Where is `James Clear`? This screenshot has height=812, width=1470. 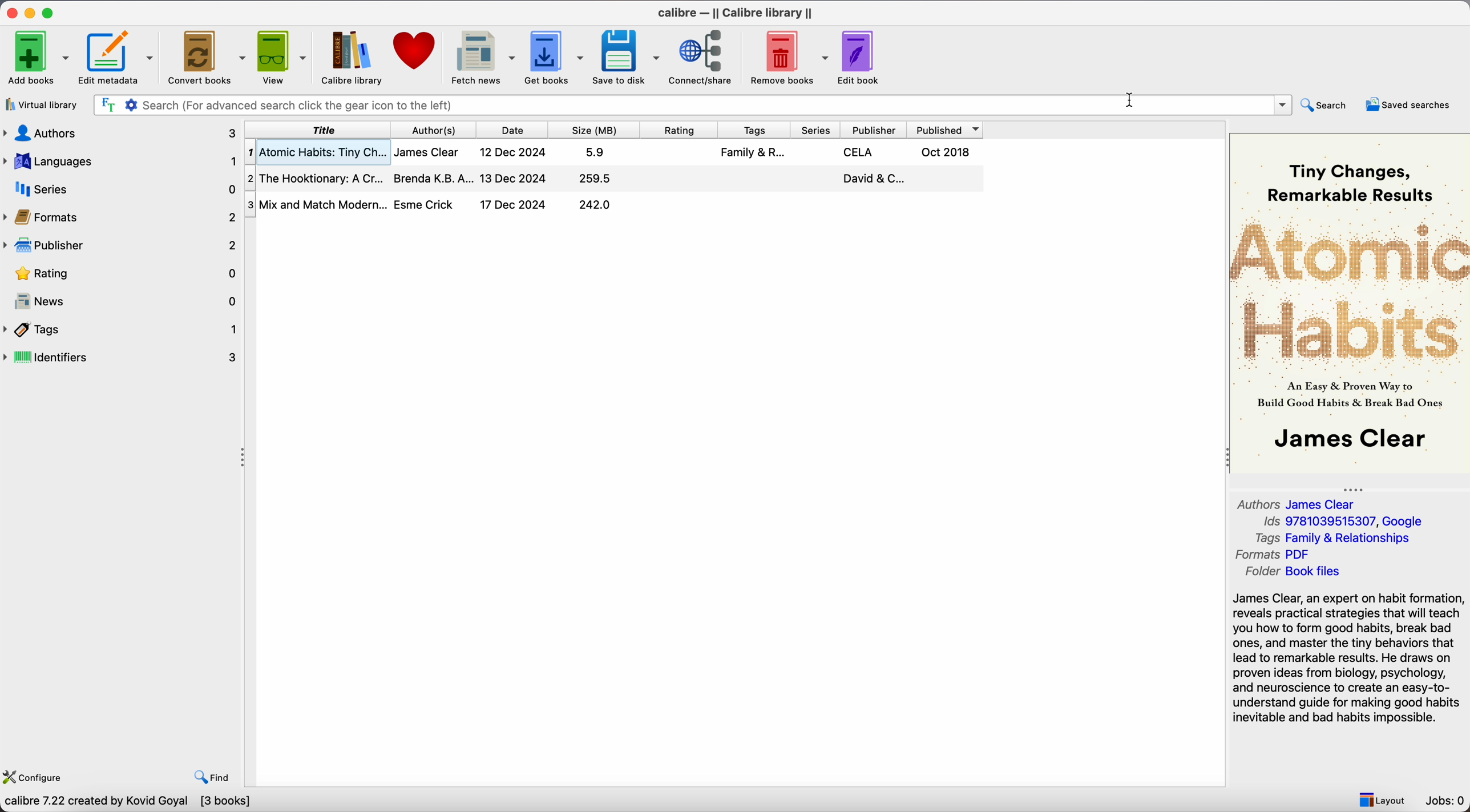 James Clear is located at coordinates (426, 152).